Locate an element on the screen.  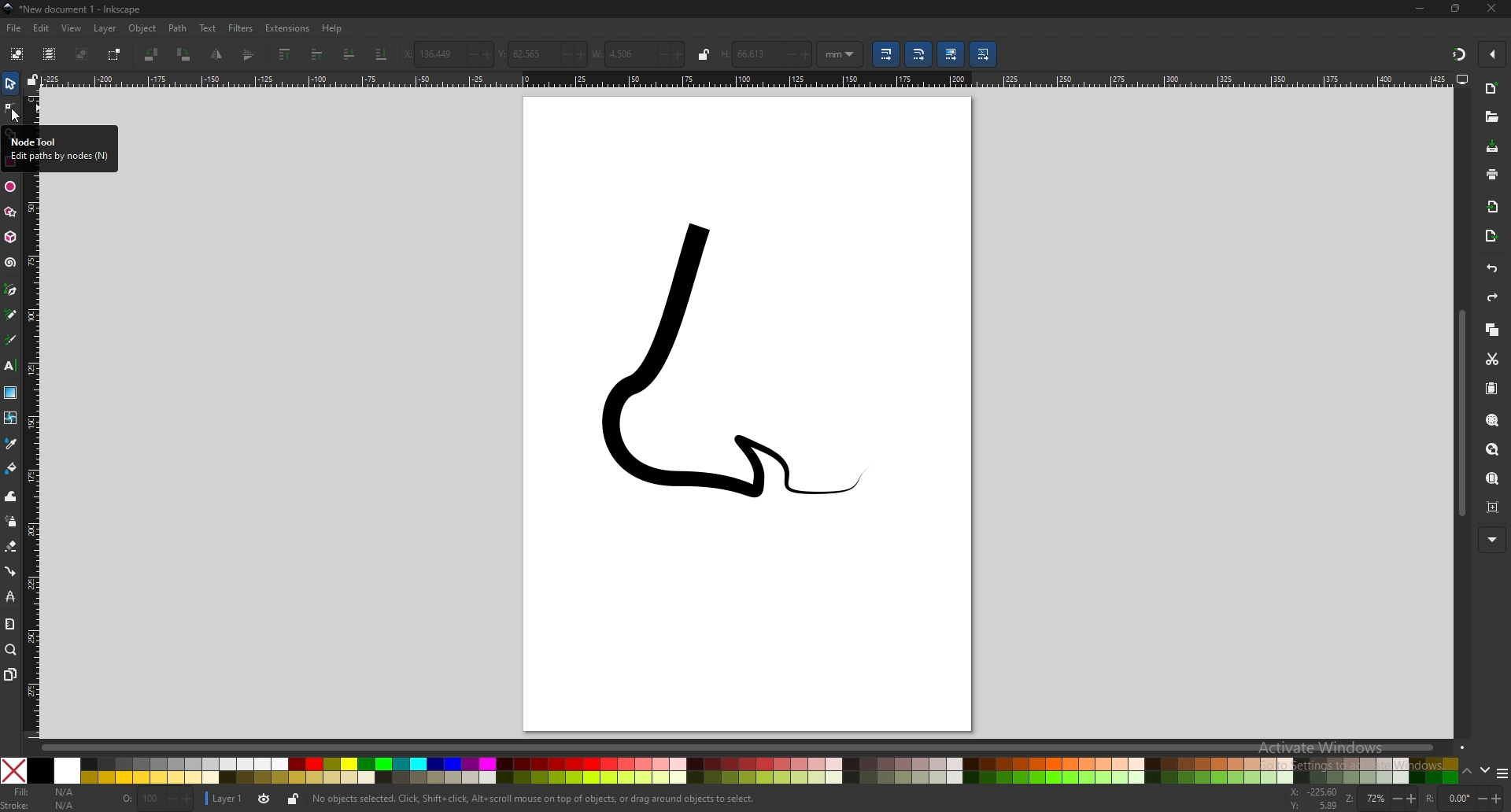
lock is located at coordinates (294, 799).